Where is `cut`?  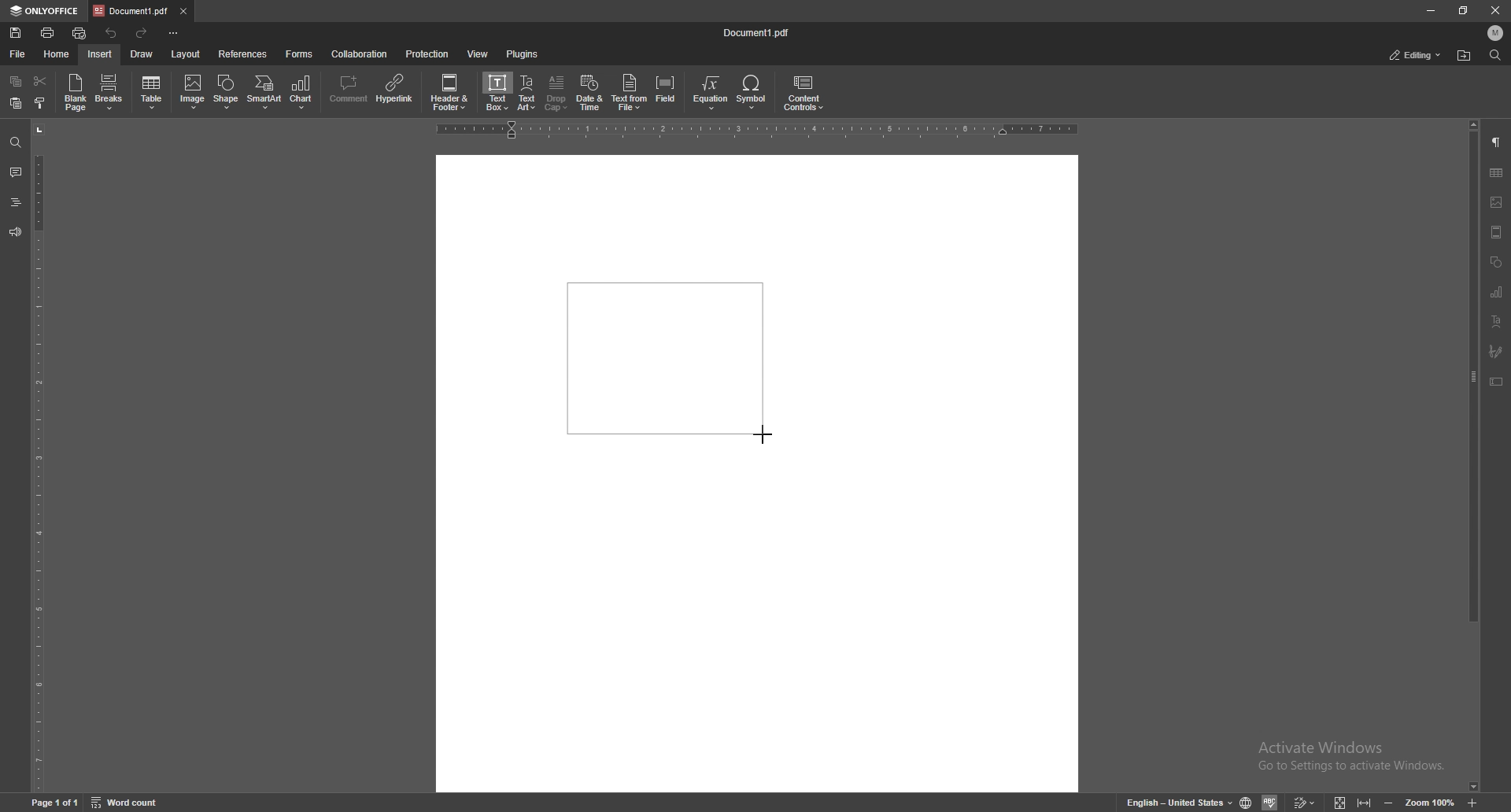 cut is located at coordinates (40, 81).